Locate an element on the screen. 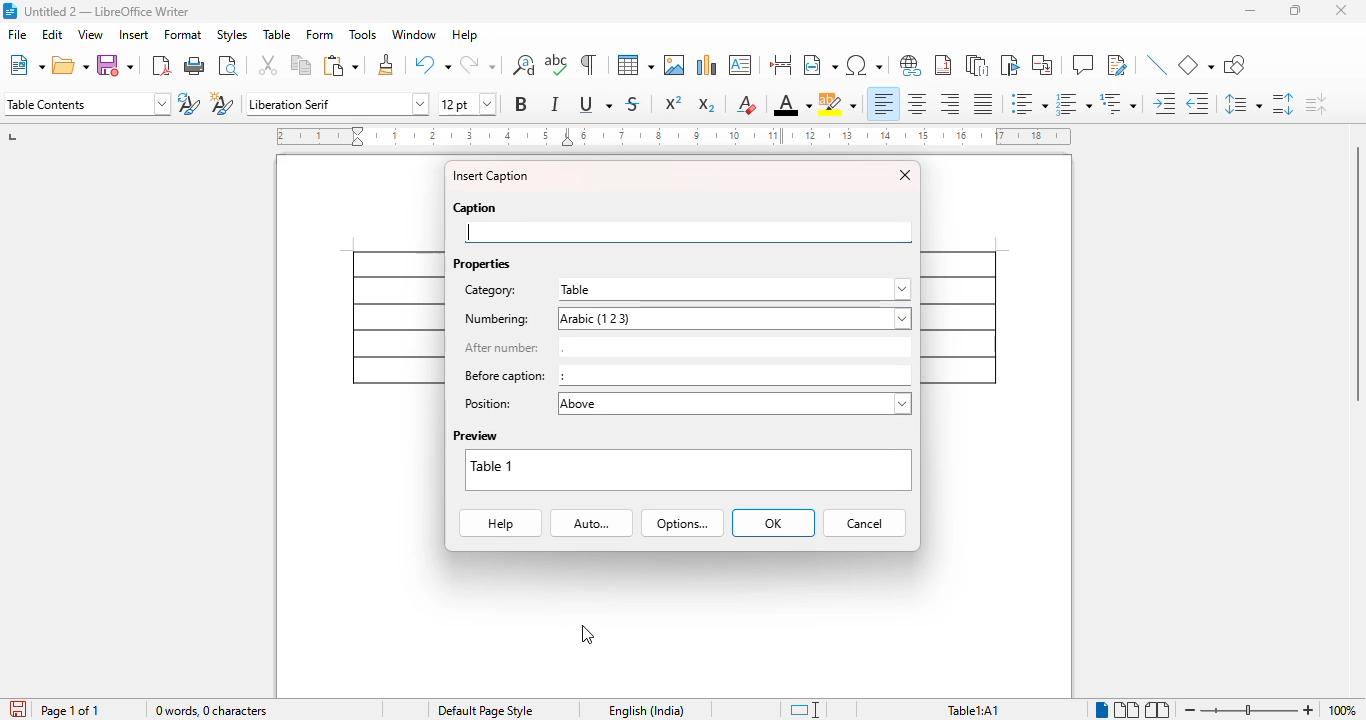 This screenshot has height=720, width=1366. toggle formatting marks  is located at coordinates (588, 64).